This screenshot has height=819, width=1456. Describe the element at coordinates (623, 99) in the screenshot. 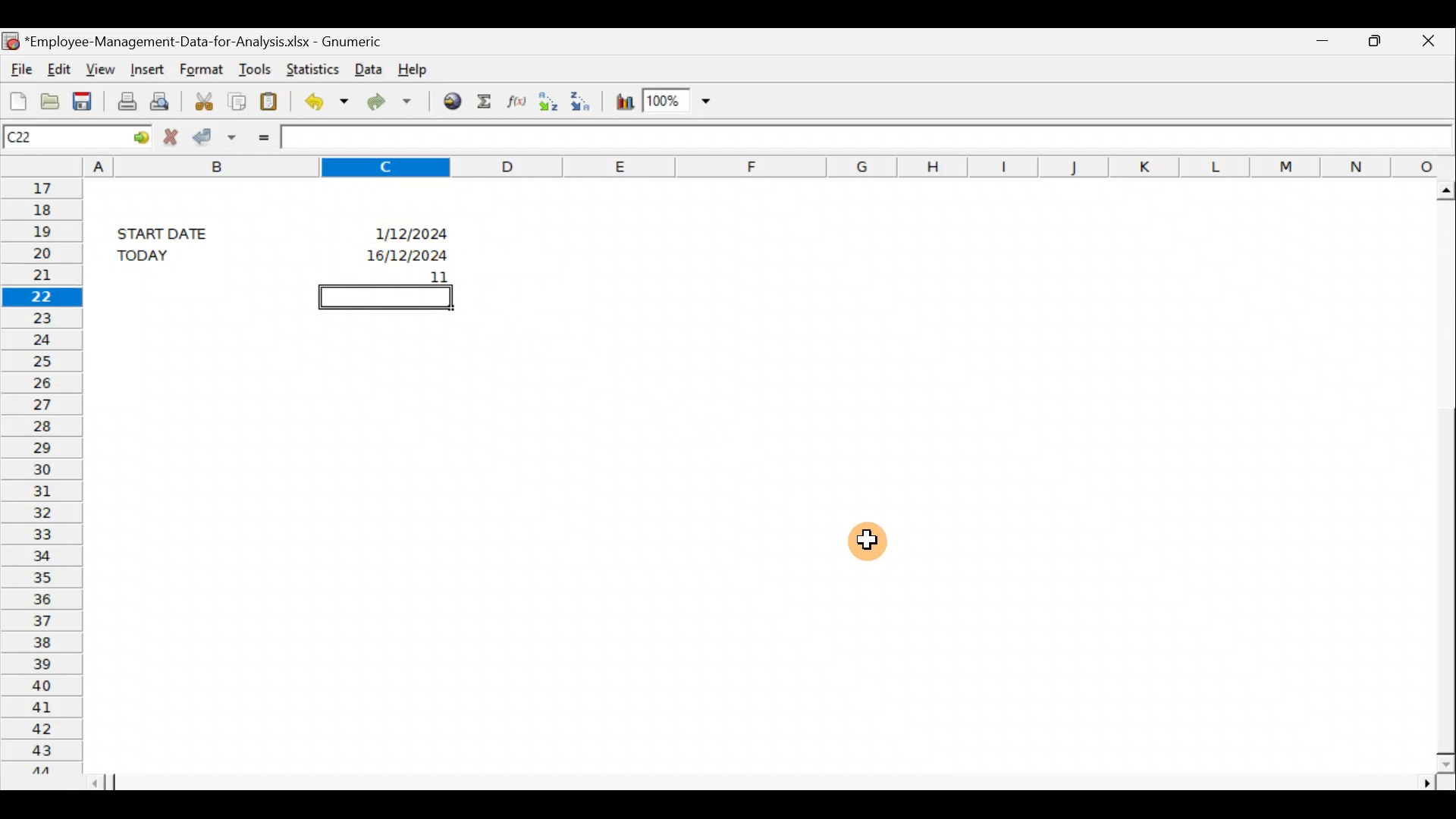

I see `Insert a chart` at that location.